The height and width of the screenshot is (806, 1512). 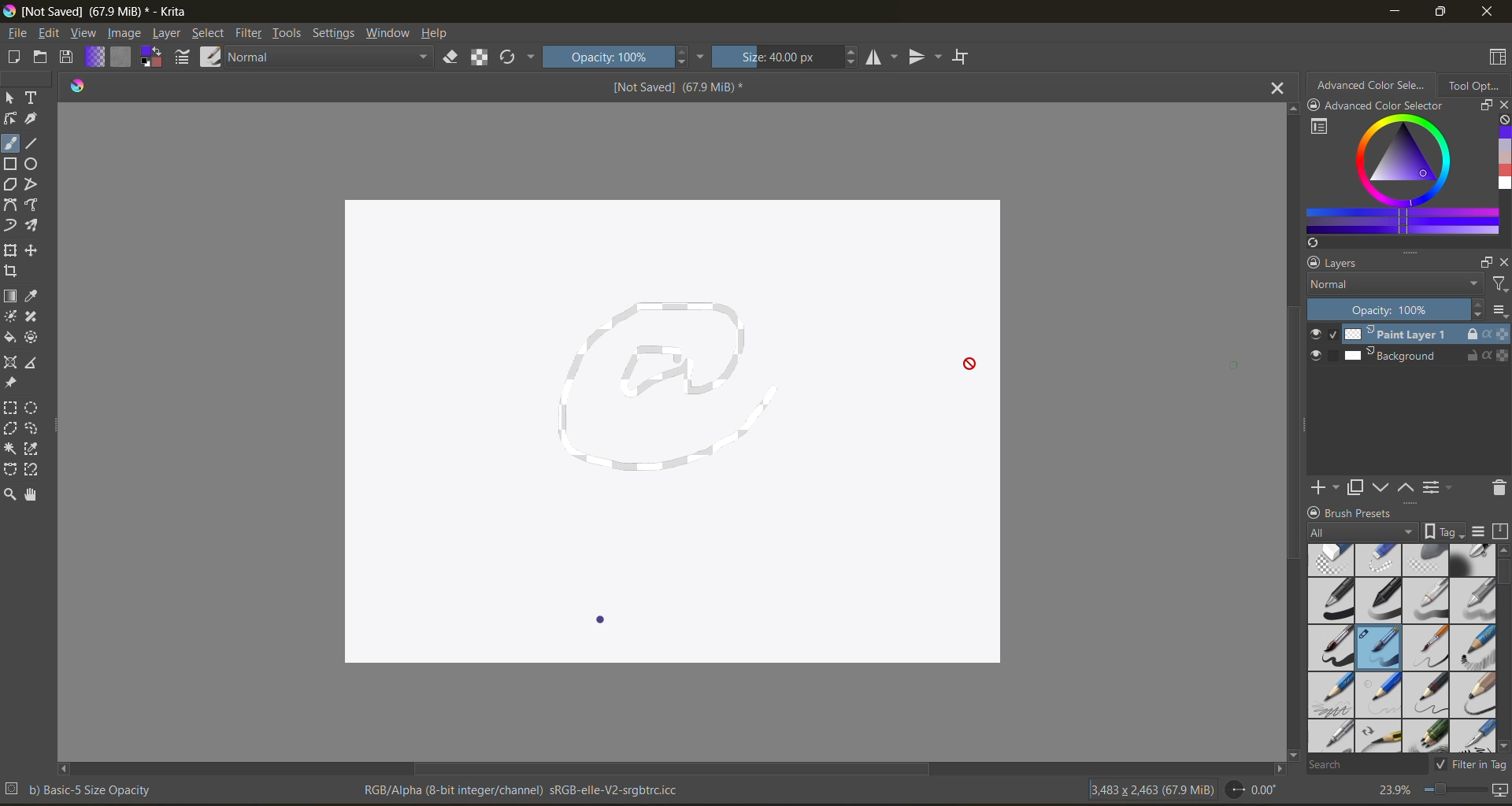 I want to click on selected, so click(x=1333, y=334).